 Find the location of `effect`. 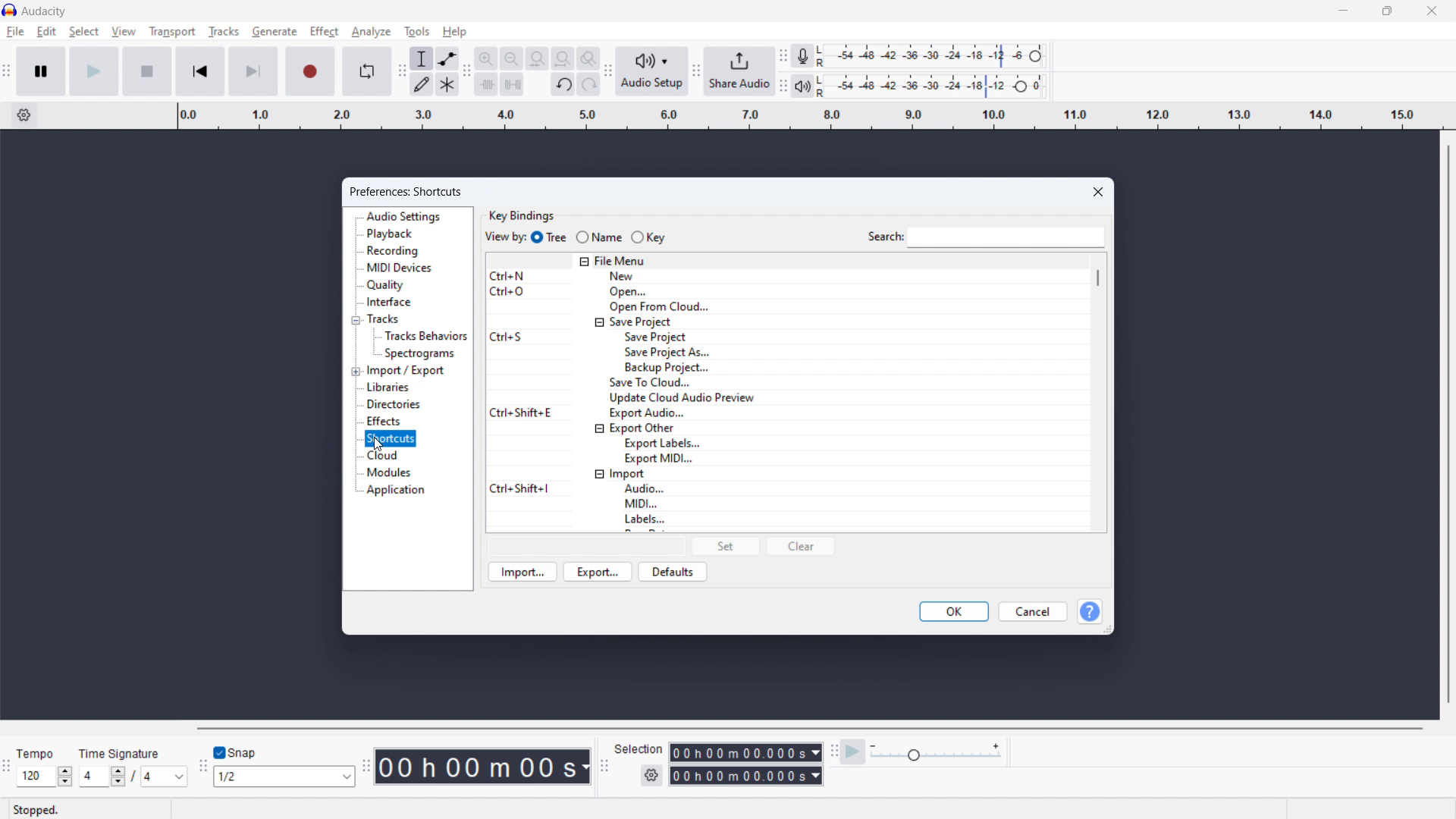

effect is located at coordinates (324, 31).